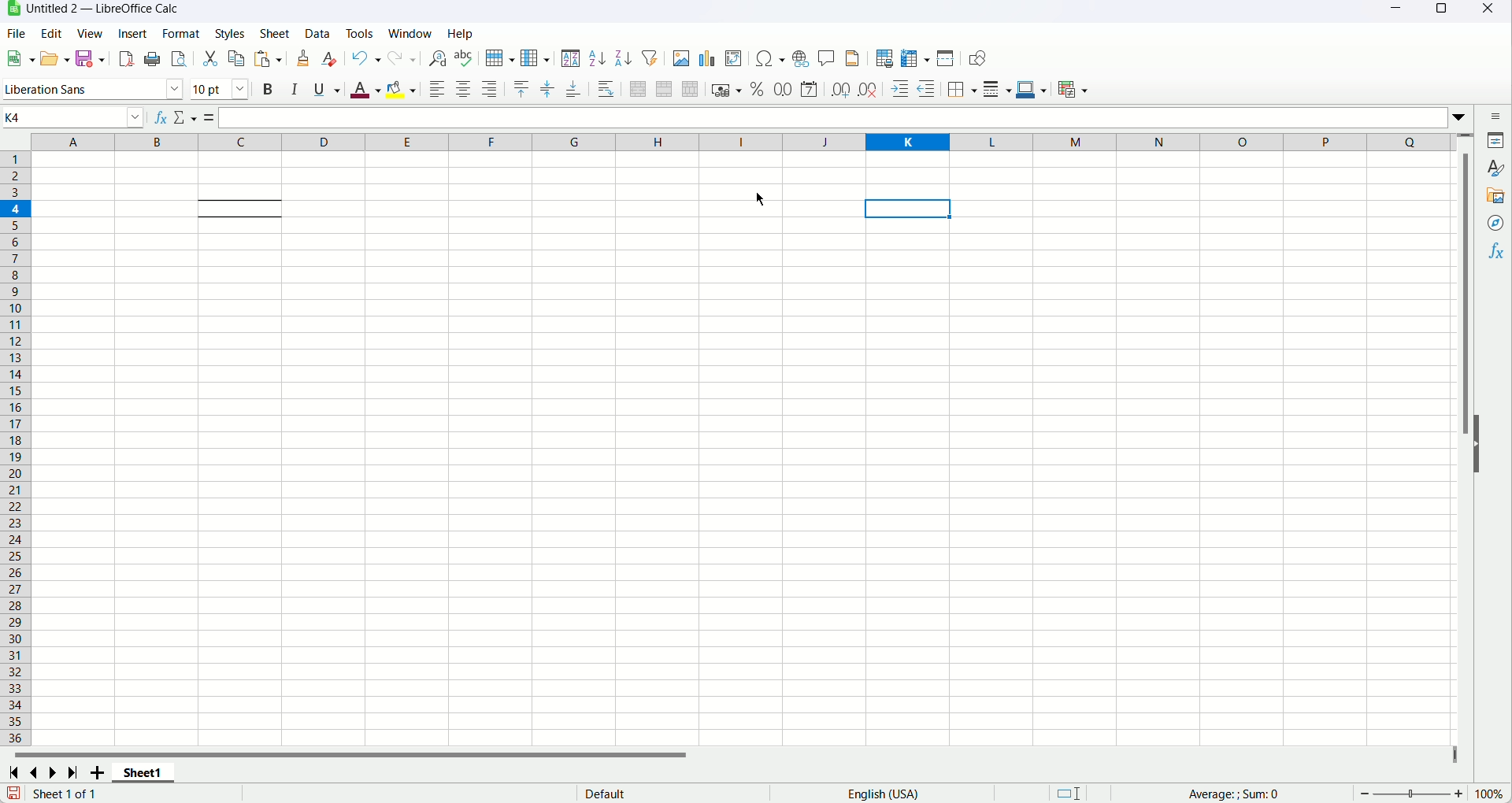 This screenshot has width=1512, height=803. What do you see at coordinates (852, 58) in the screenshot?
I see `Header and footer` at bounding box center [852, 58].